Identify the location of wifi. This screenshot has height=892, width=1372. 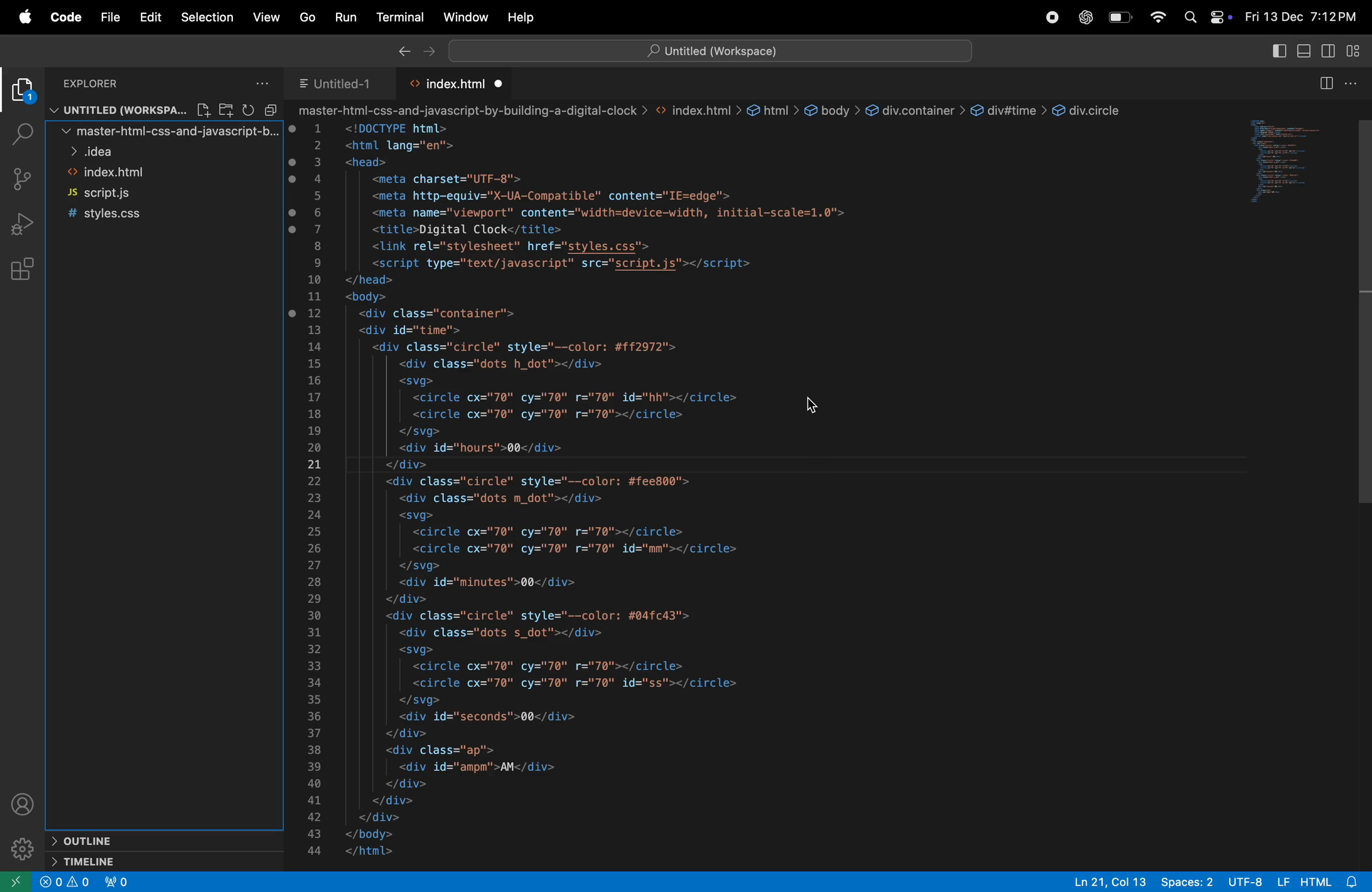
(1157, 17).